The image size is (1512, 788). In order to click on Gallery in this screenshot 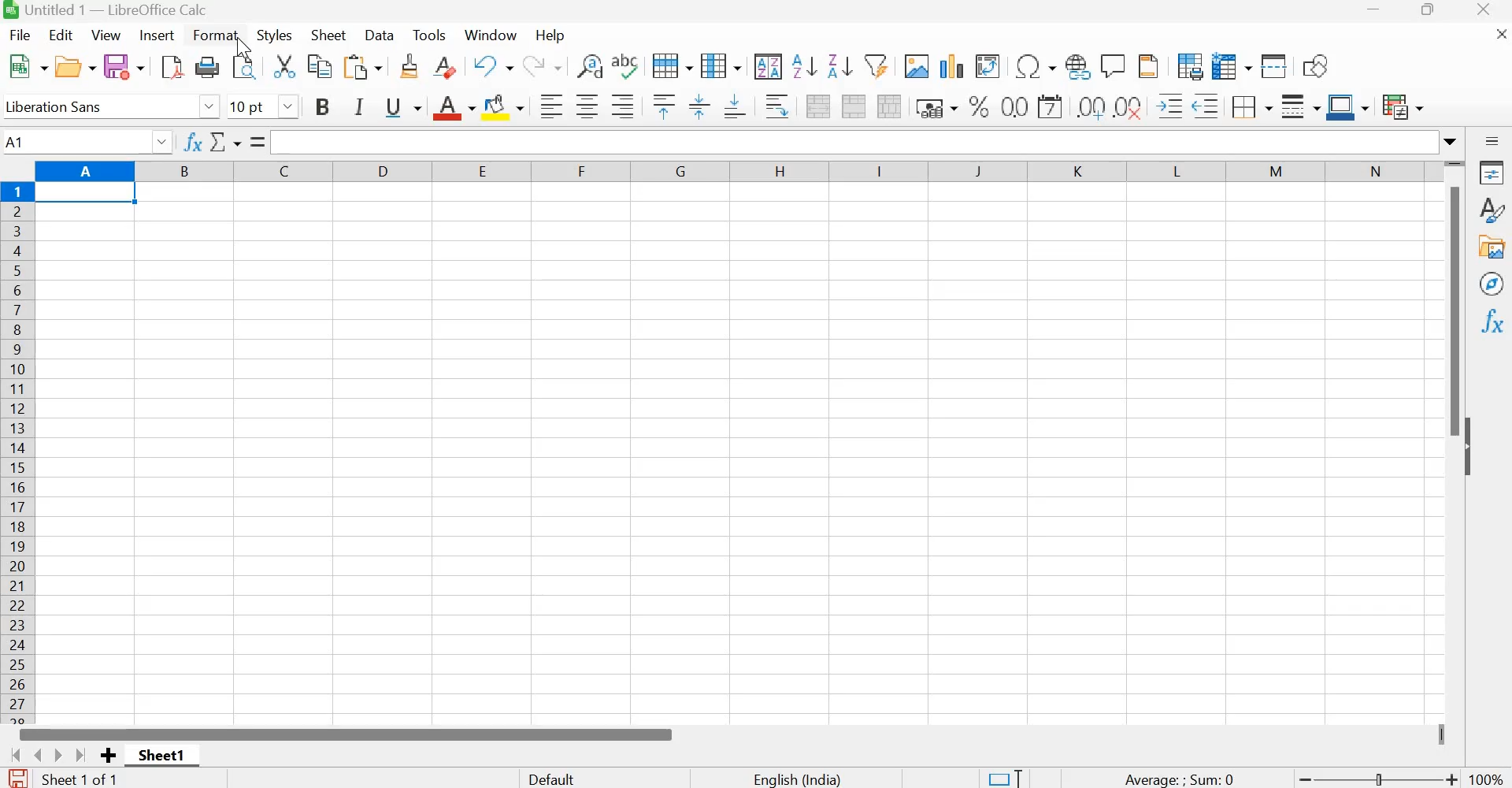, I will do `click(1492, 248)`.